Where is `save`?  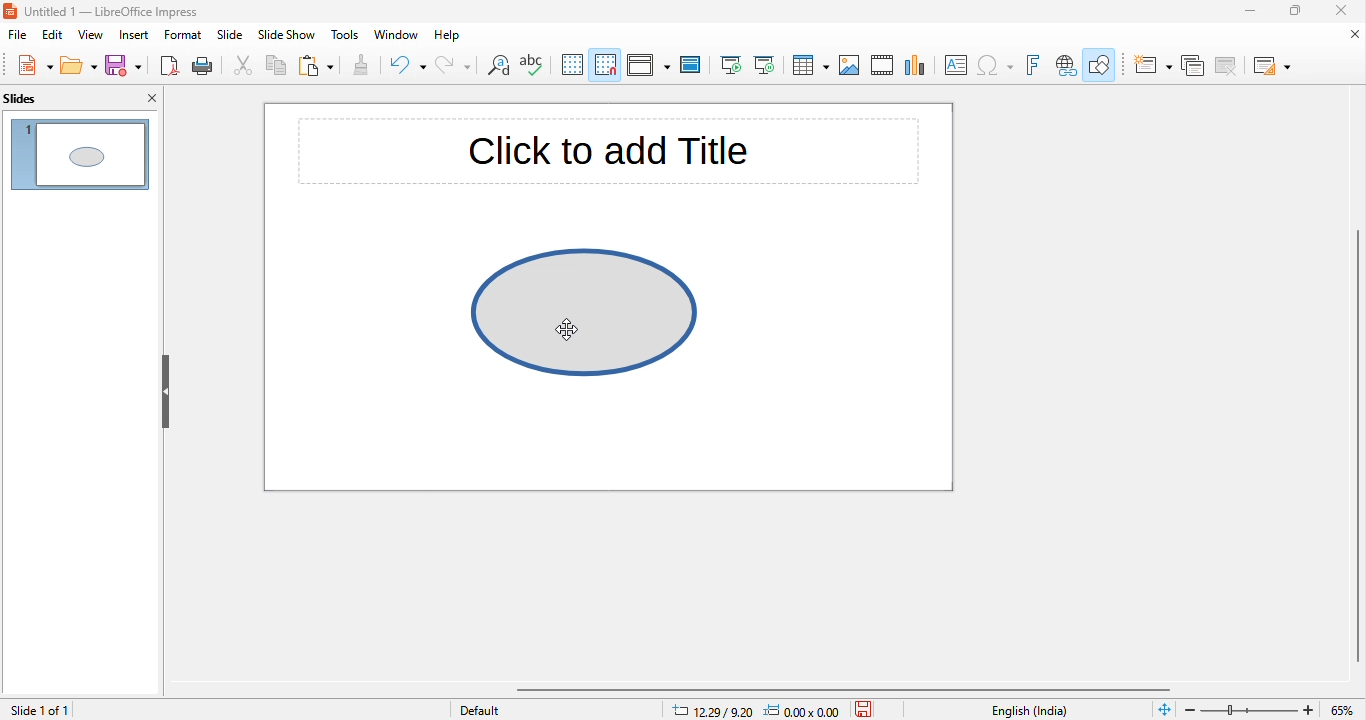
save is located at coordinates (123, 67).